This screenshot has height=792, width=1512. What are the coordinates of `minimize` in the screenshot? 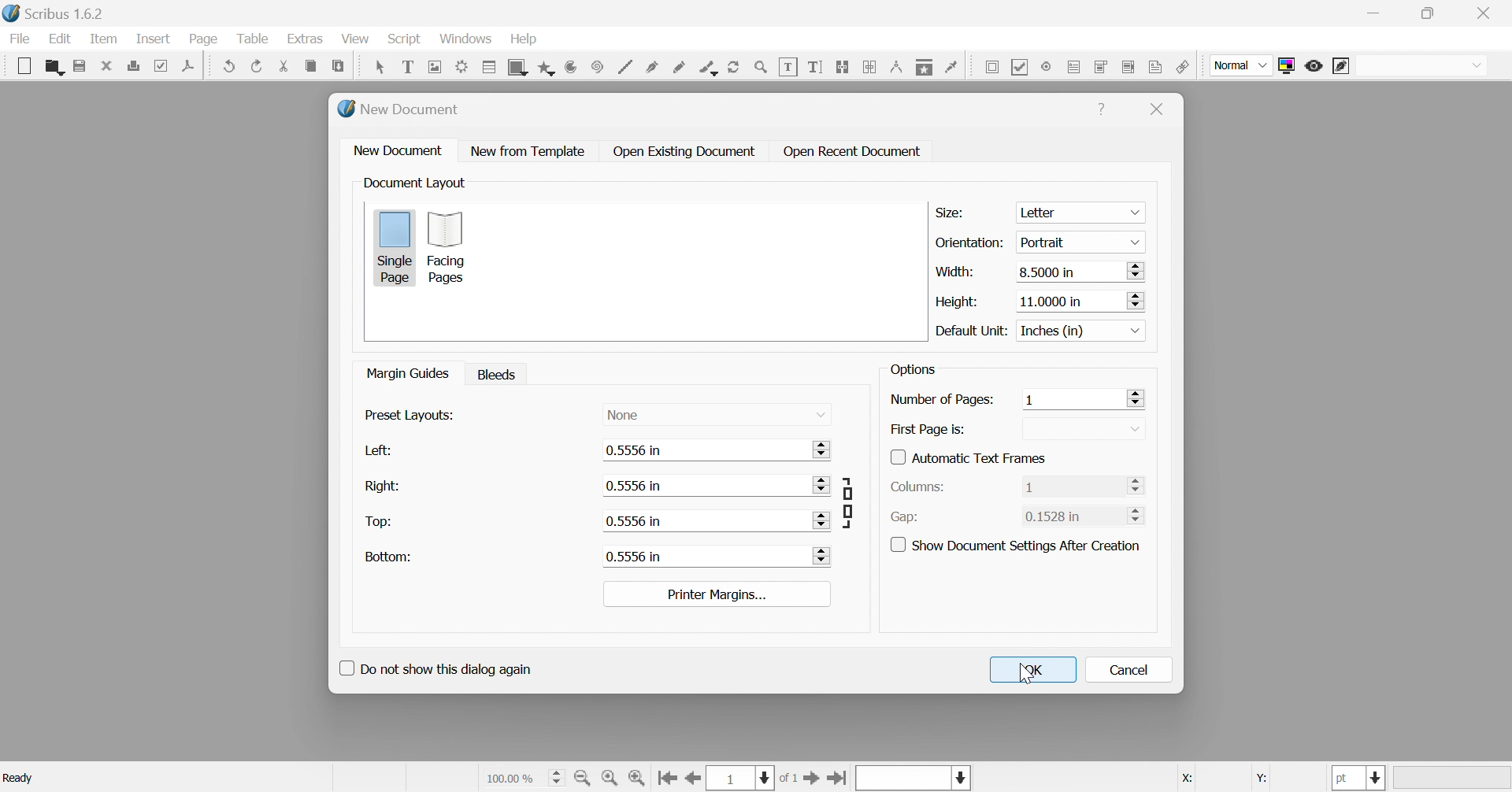 It's located at (1371, 13).